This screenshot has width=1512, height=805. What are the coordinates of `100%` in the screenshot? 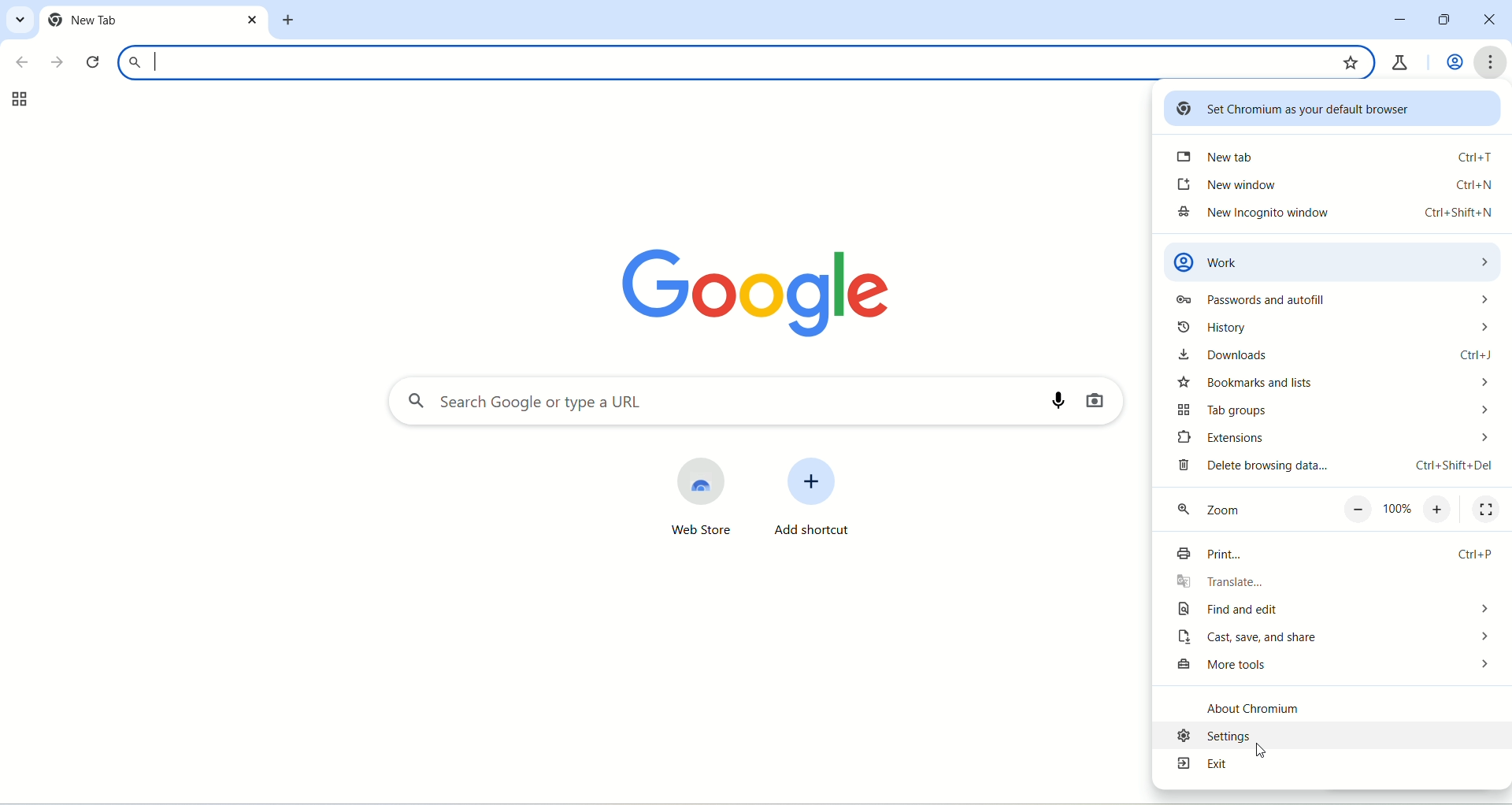 It's located at (1398, 509).